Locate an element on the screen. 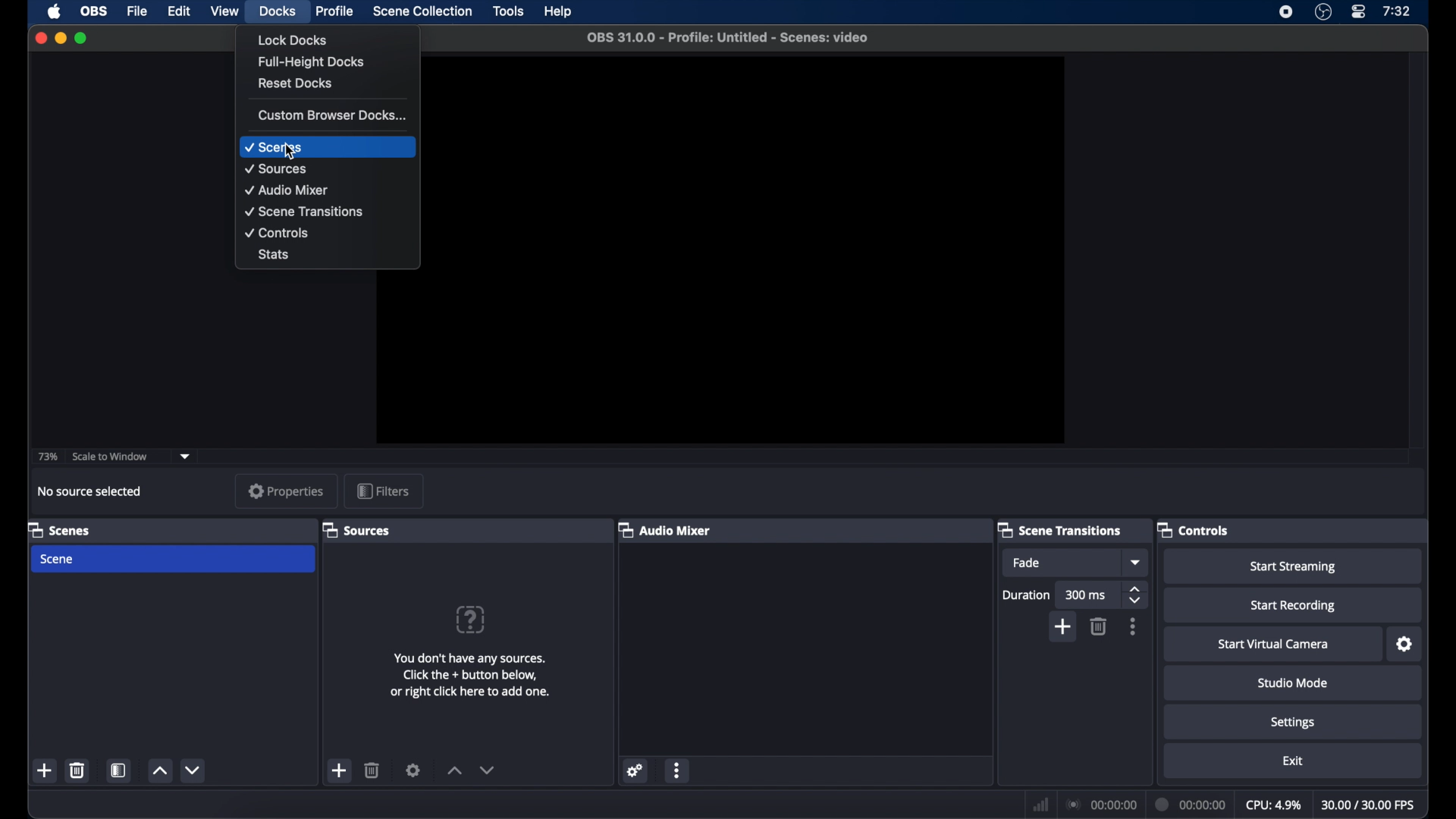 The height and width of the screenshot is (819, 1456). obs is located at coordinates (94, 11).